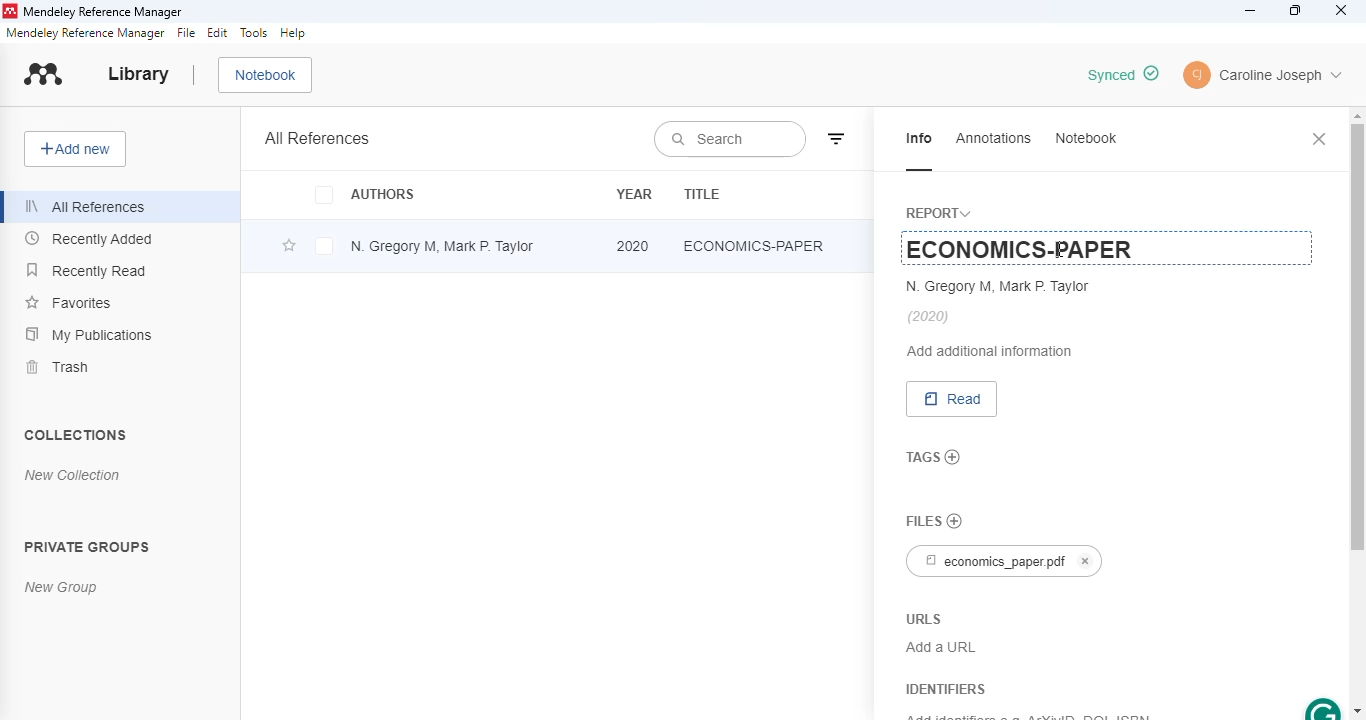 This screenshot has height=720, width=1366. Describe the element at coordinates (217, 33) in the screenshot. I see `edit` at that location.